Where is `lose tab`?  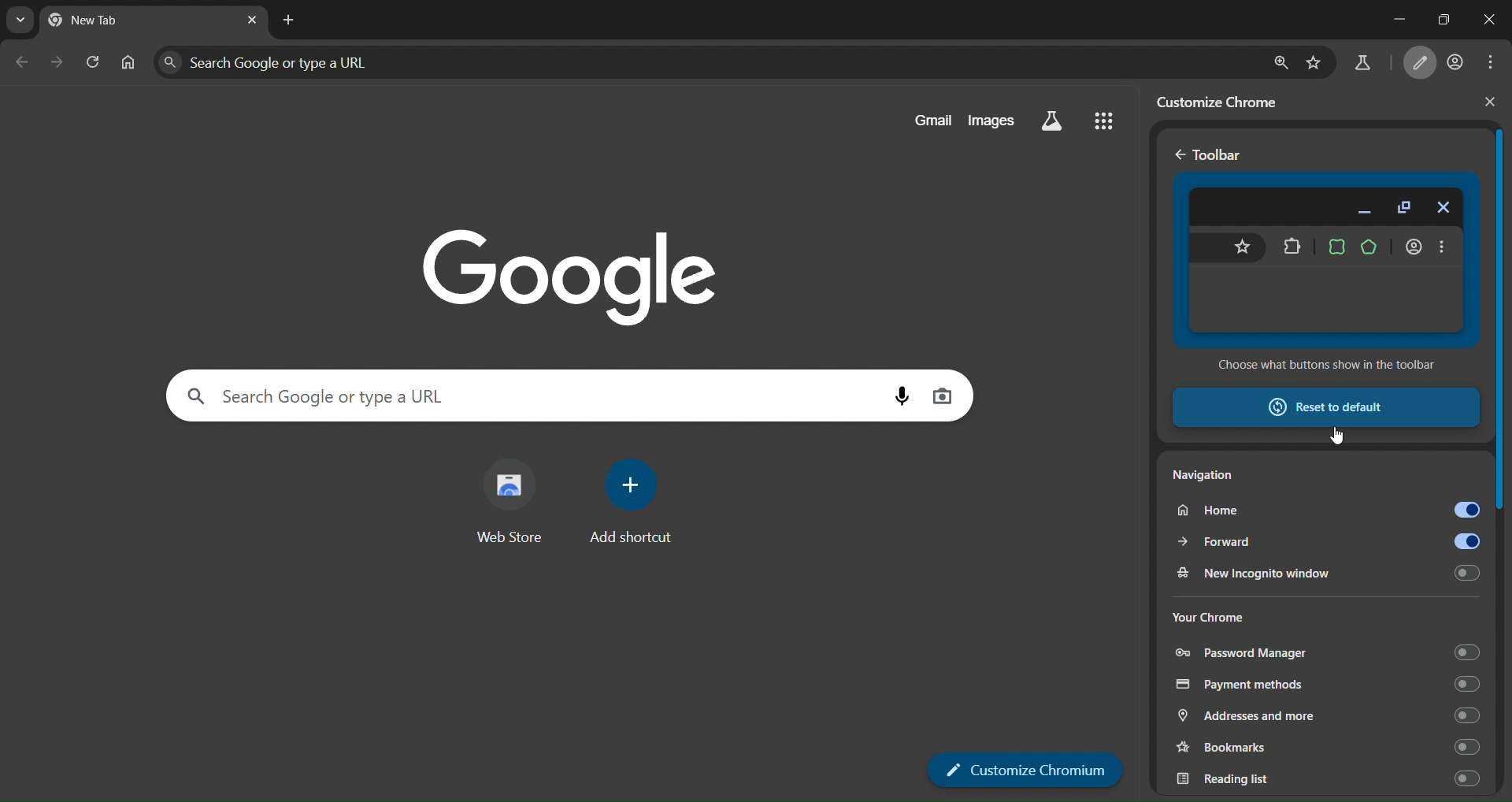 lose tab is located at coordinates (250, 20).